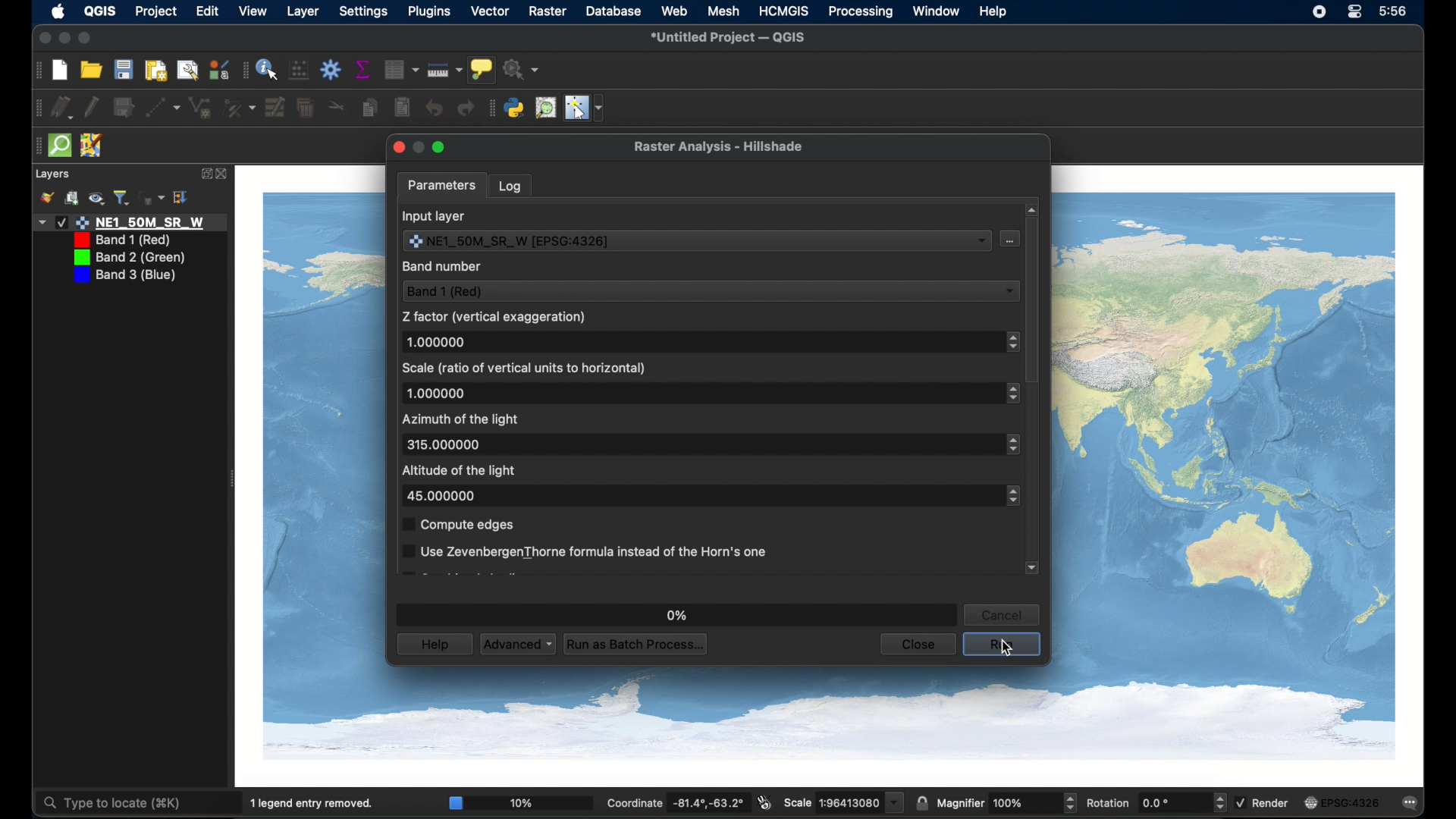 This screenshot has height=819, width=1456. I want to click on scroll up arrow, so click(1034, 210).